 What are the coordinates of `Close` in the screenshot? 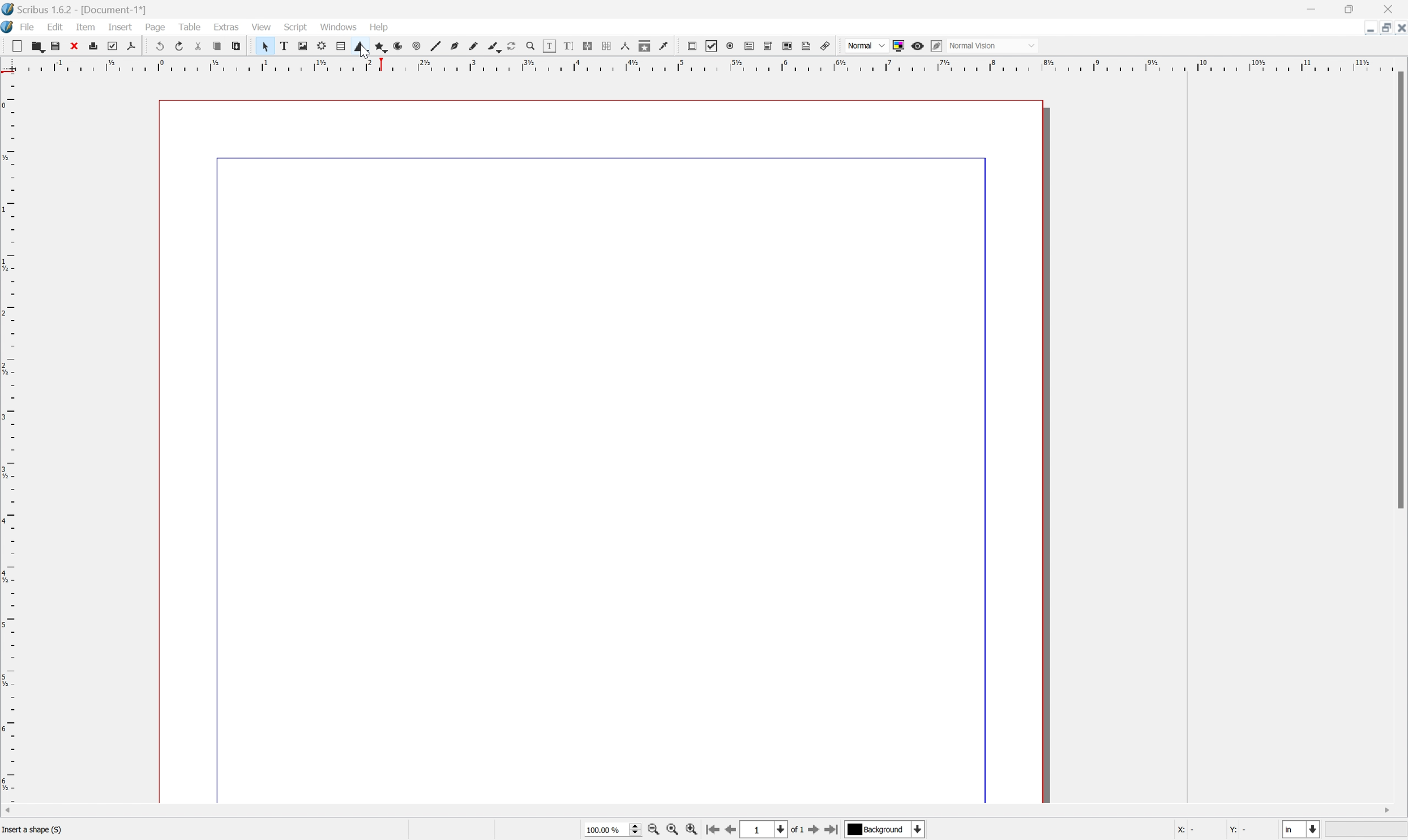 It's located at (75, 45).